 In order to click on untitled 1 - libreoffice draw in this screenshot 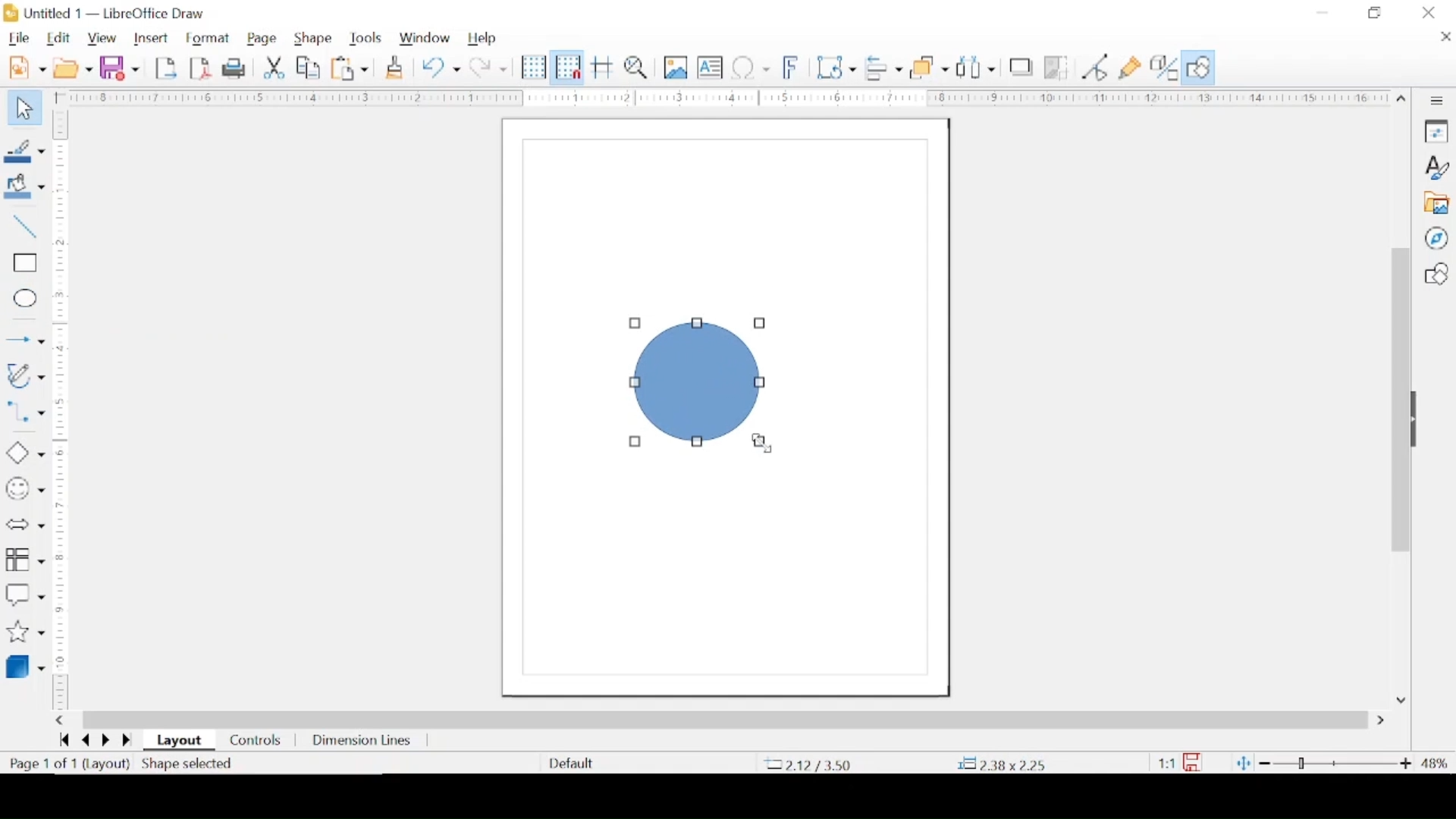, I will do `click(108, 13)`.